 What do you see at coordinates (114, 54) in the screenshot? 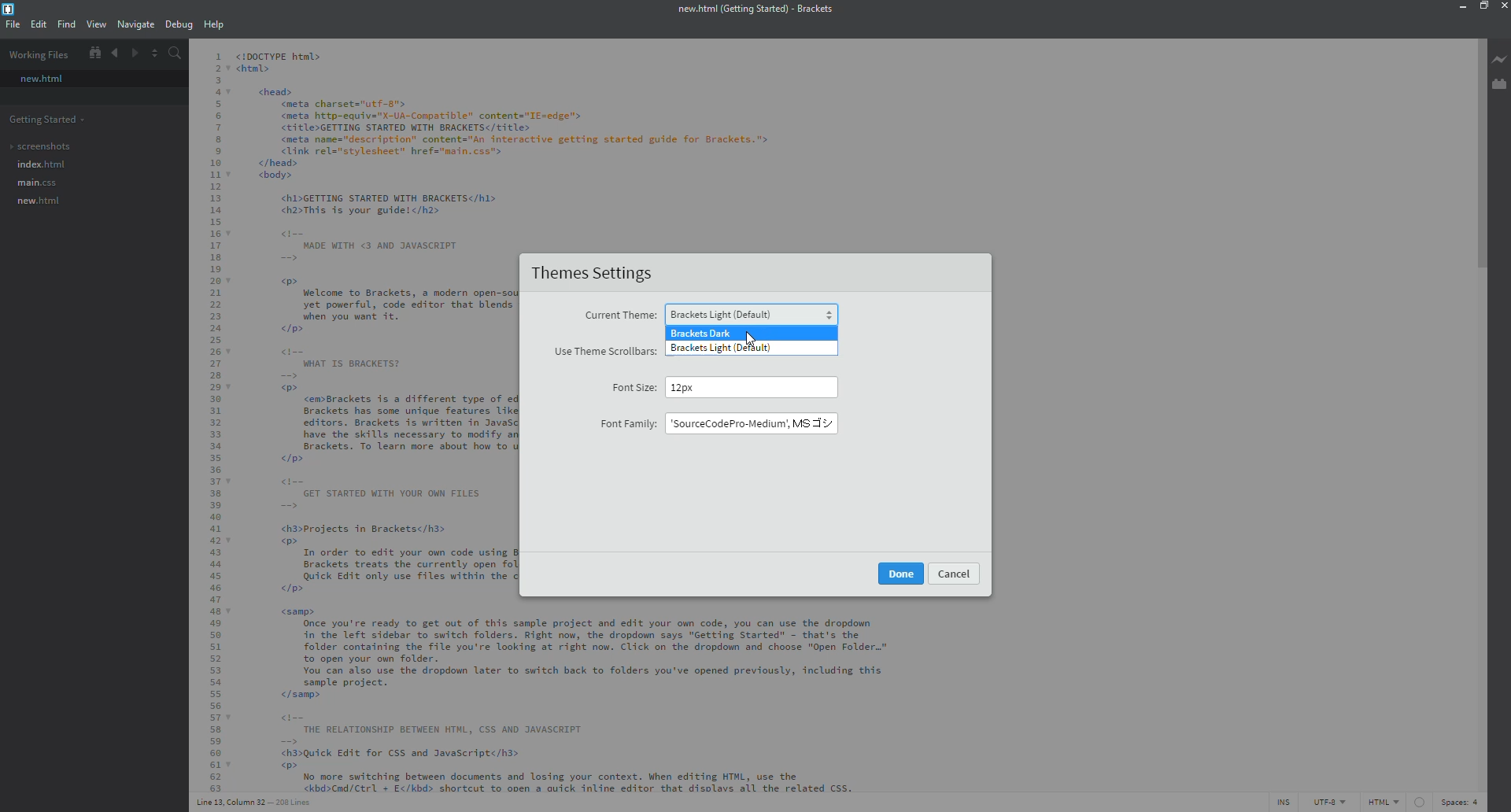
I see `back` at bounding box center [114, 54].